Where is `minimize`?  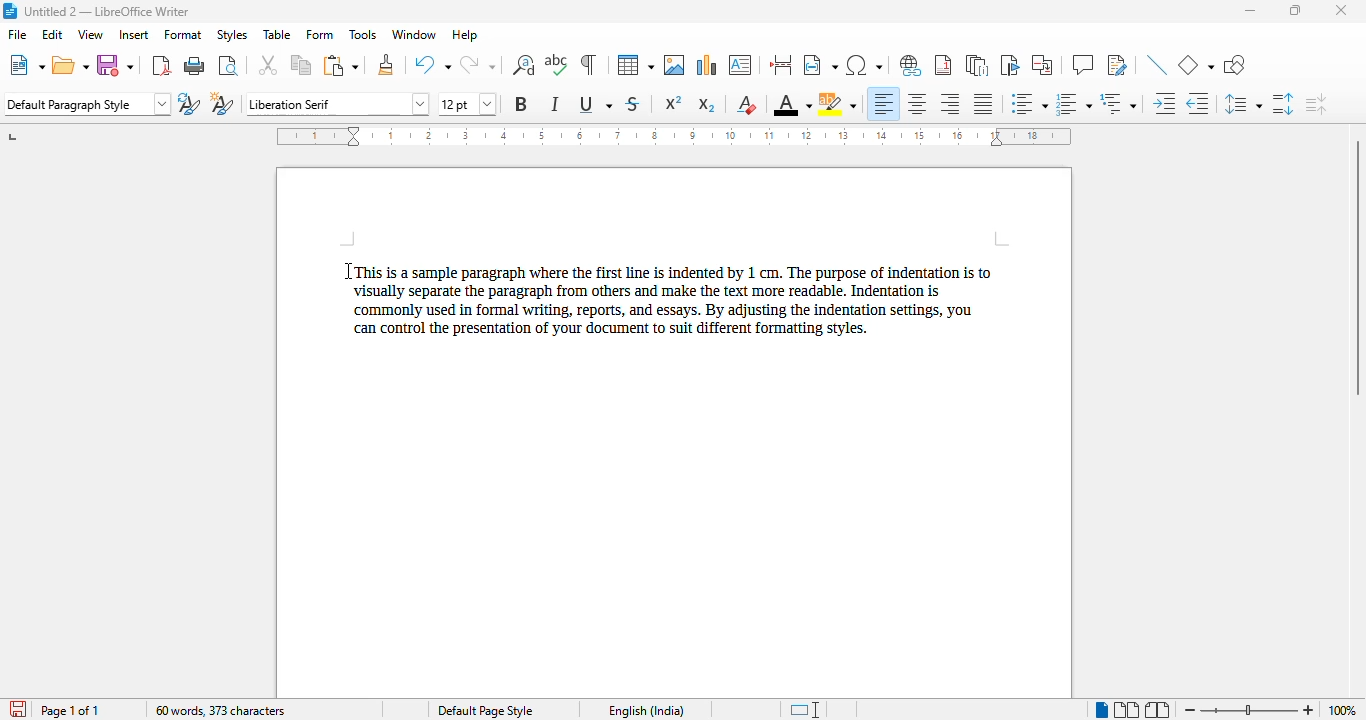
minimize is located at coordinates (1249, 11).